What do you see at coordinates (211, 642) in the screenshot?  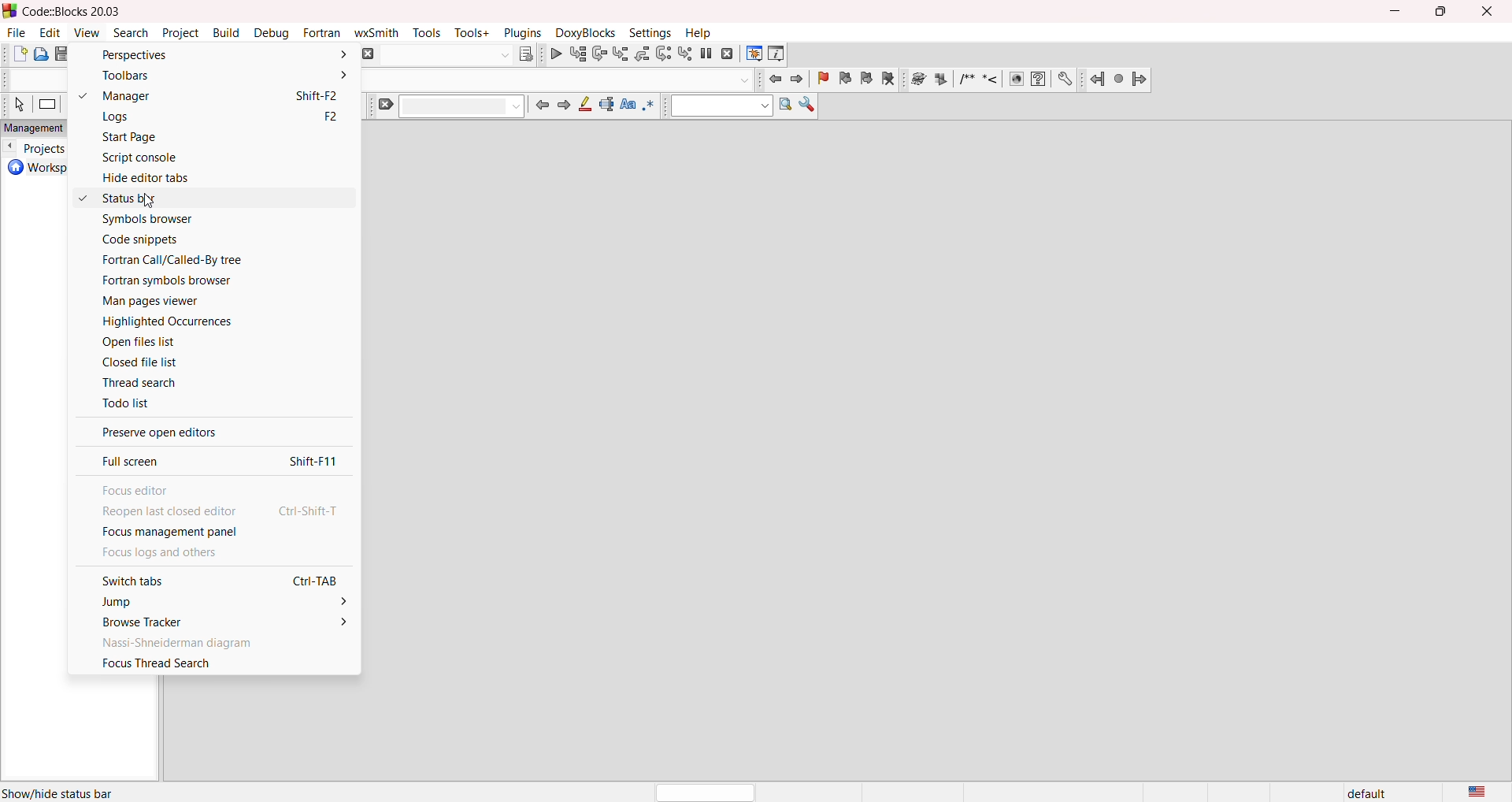 I see `nassi-shneiderman diagram` at bounding box center [211, 642].